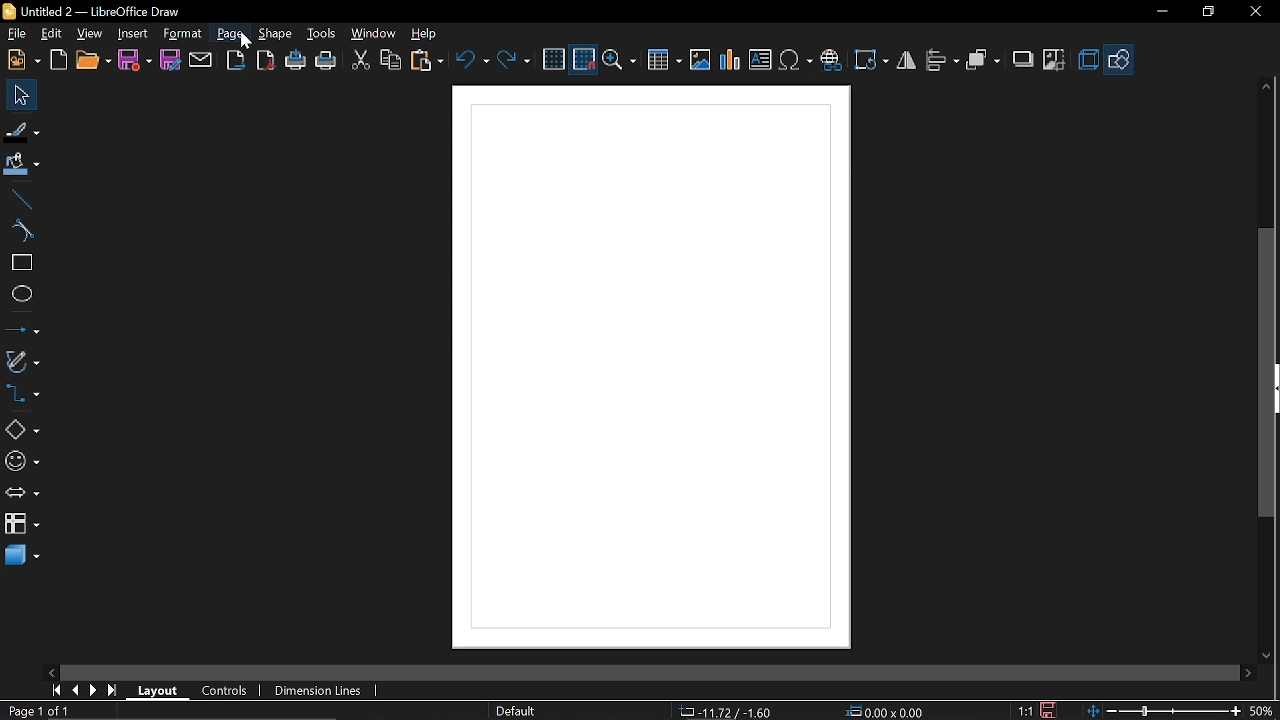 The image size is (1280, 720). Describe the element at coordinates (1022, 59) in the screenshot. I see `shadow` at that location.